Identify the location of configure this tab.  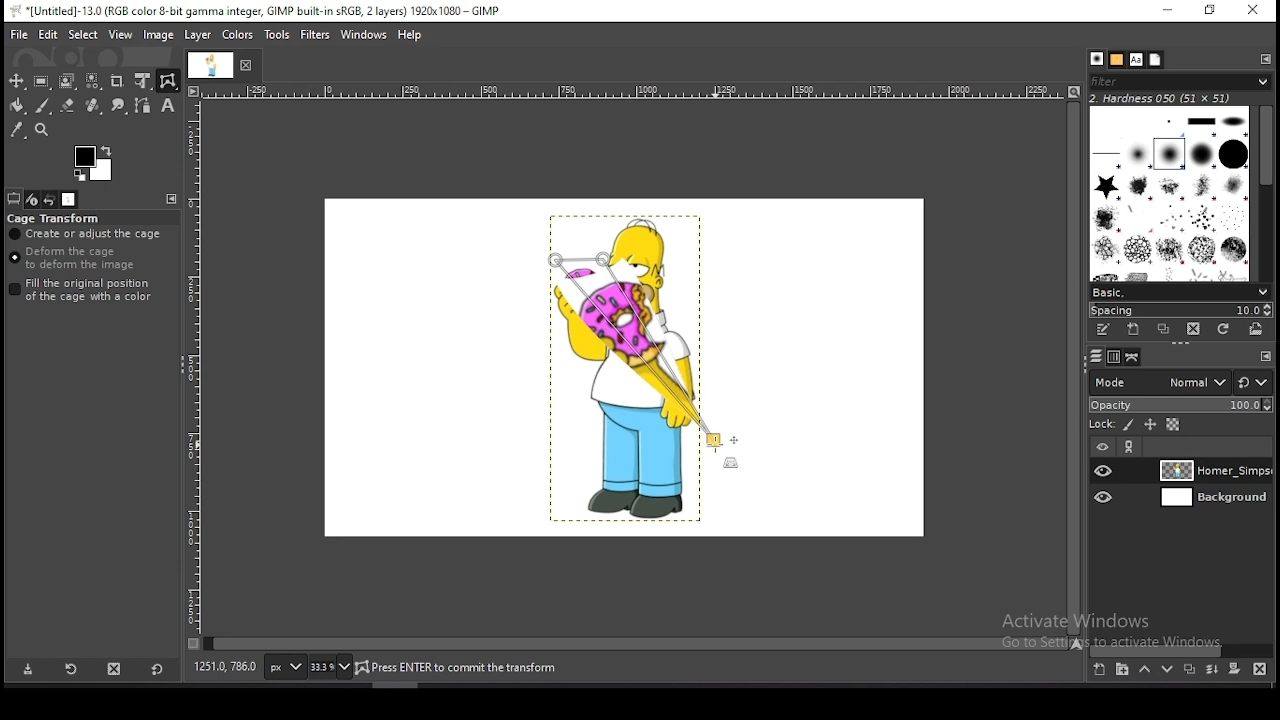
(1265, 58).